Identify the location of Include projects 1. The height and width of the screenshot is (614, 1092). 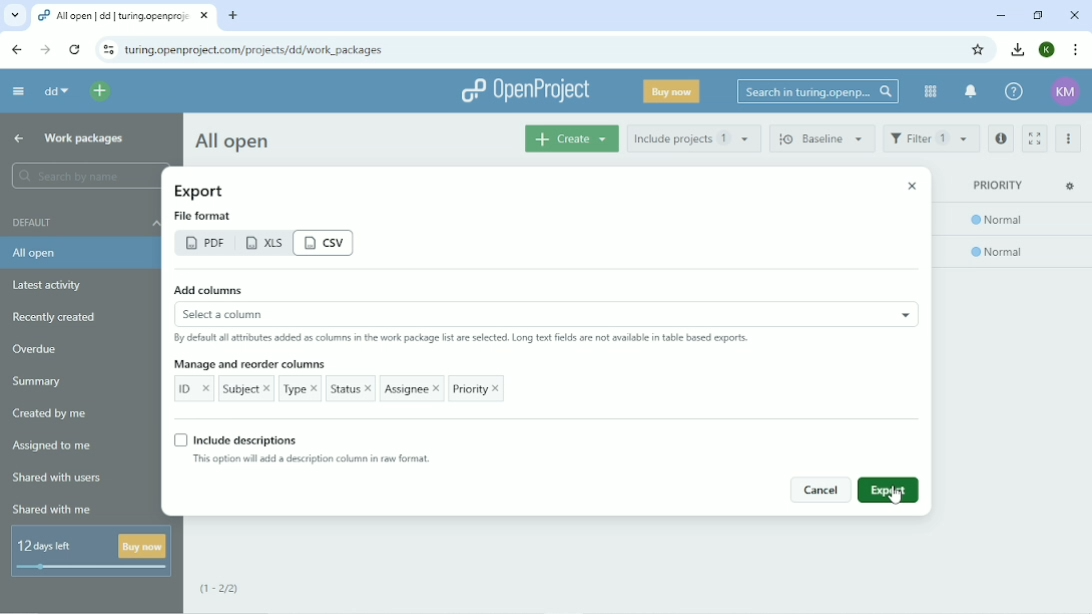
(695, 138).